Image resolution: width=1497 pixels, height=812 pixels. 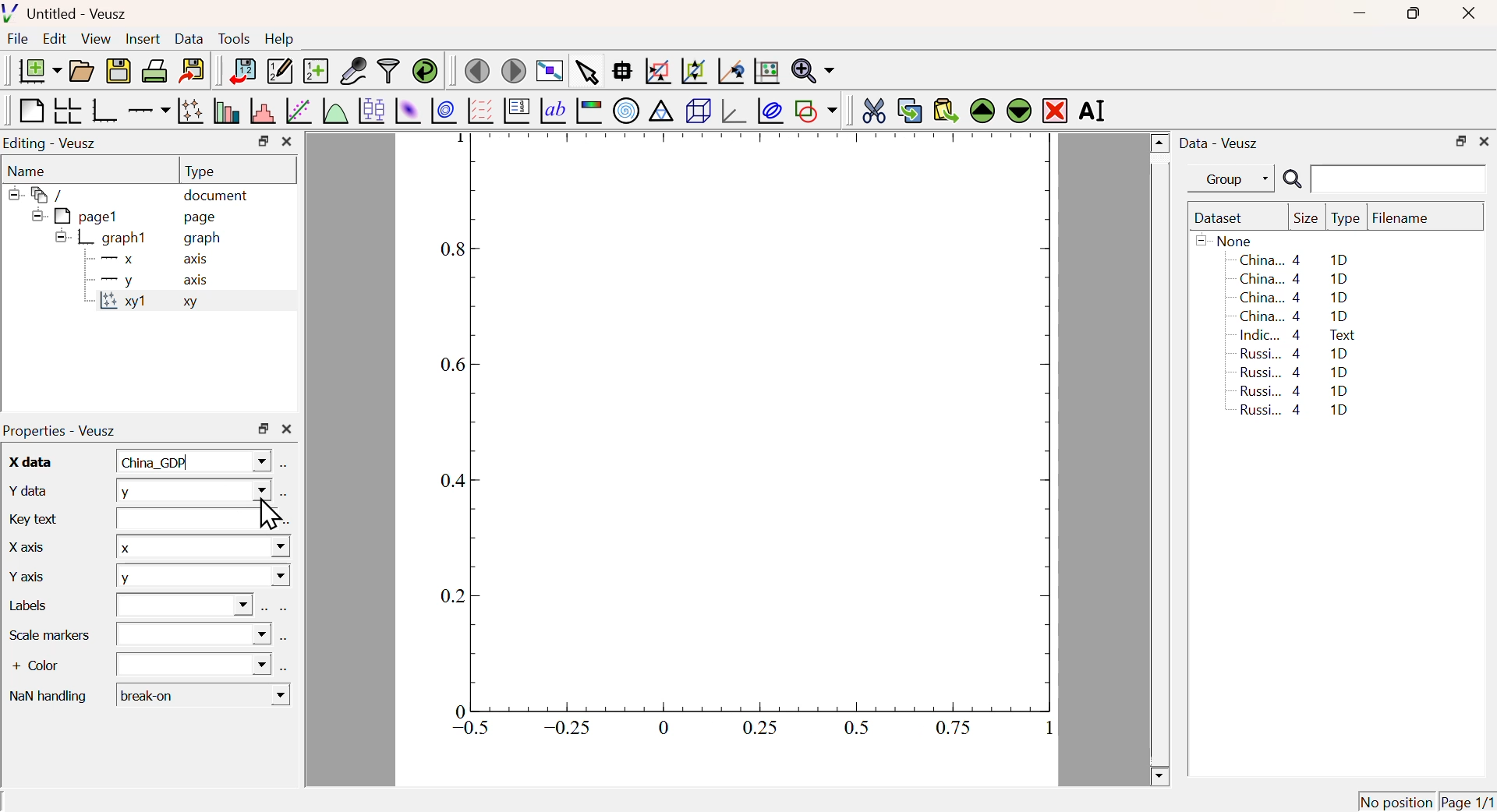 What do you see at coordinates (813, 69) in the screenshot?
I see `Zoom function menu` at bounding box center [813, 69].